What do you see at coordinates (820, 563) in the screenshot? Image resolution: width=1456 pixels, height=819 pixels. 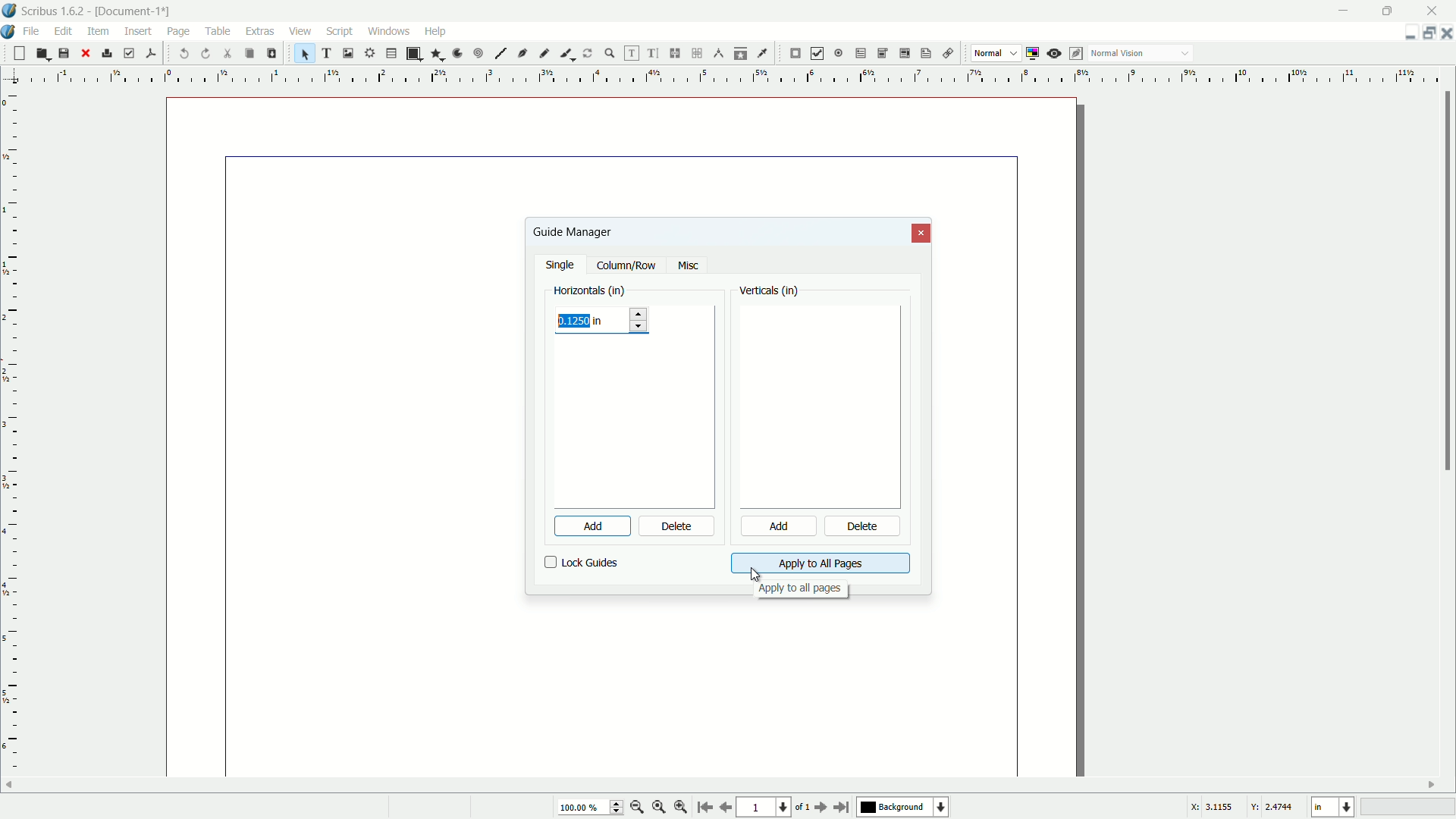 I see `apply to all pages` at bounding box center [820, 563].